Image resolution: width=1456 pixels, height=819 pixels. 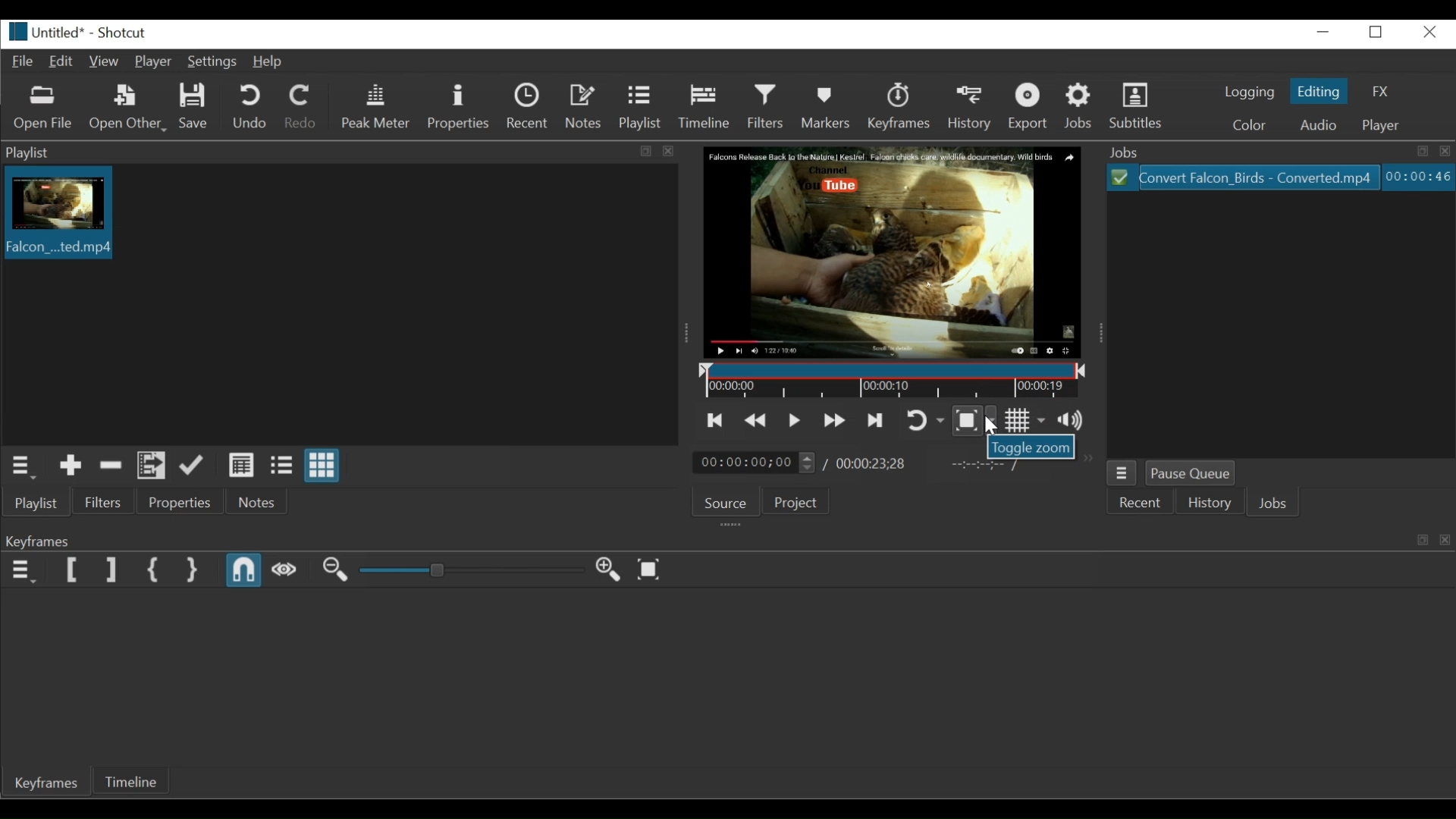 I want to click on Save, so click(x=195, y=107).